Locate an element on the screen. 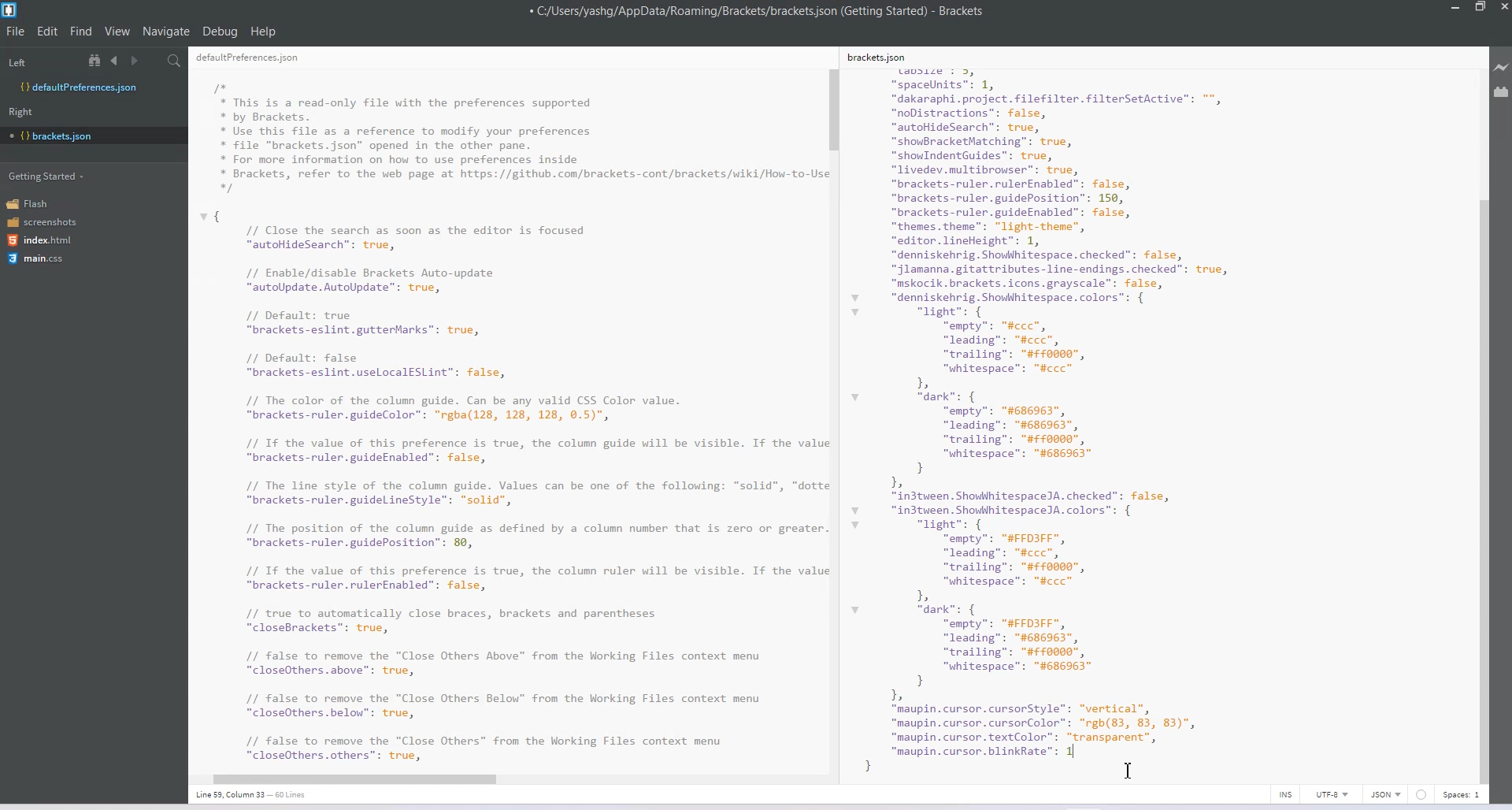 Image resolution: width=1512 pixels, height=810 pixels. Extension Manager is located at coordinates (1502, 95).